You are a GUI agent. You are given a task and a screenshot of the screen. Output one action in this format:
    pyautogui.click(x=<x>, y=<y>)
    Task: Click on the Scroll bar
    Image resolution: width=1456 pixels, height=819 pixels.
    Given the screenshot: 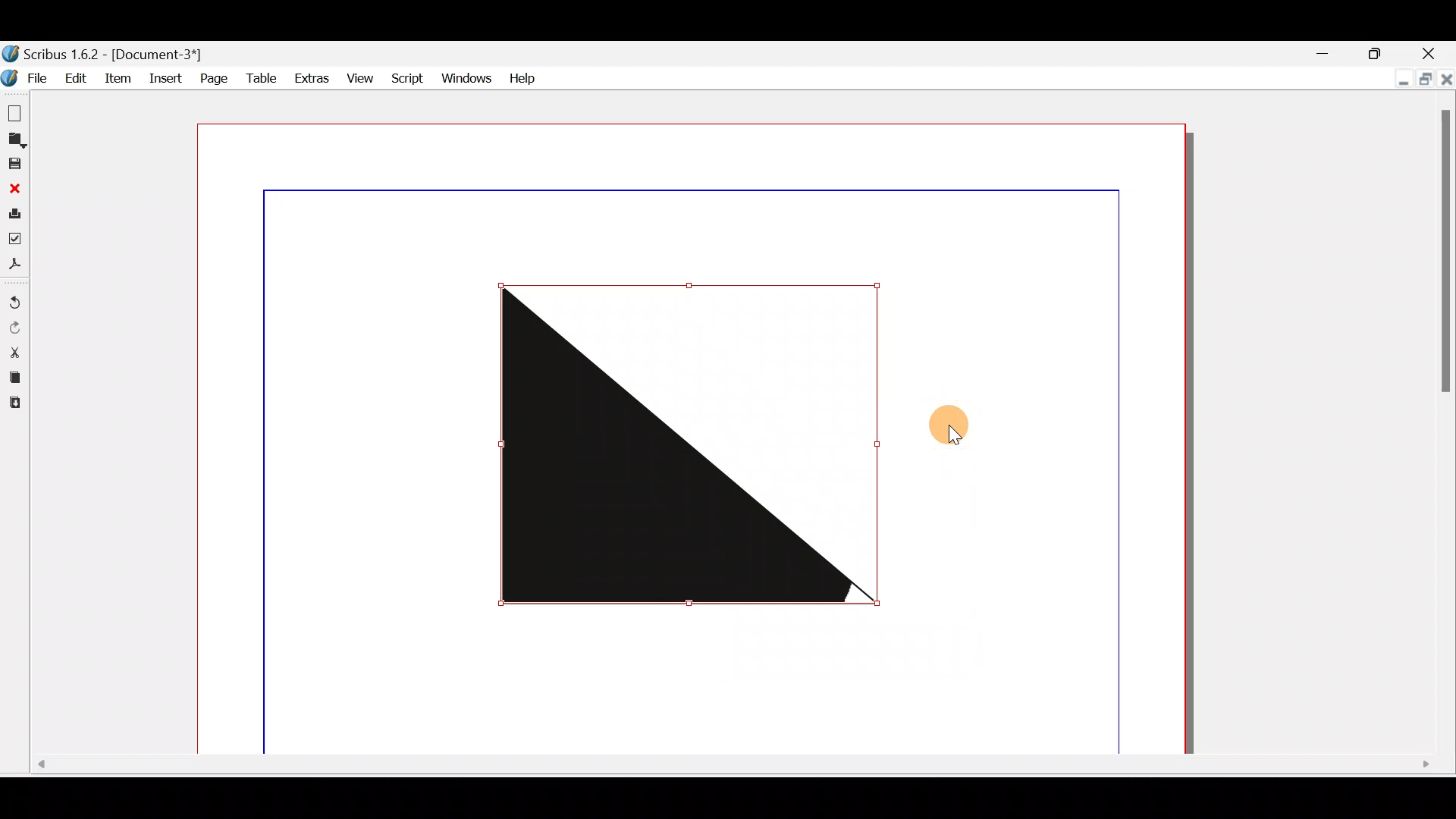 What is the action you would take?
    pyautogui.click(x=726, y=768)
    